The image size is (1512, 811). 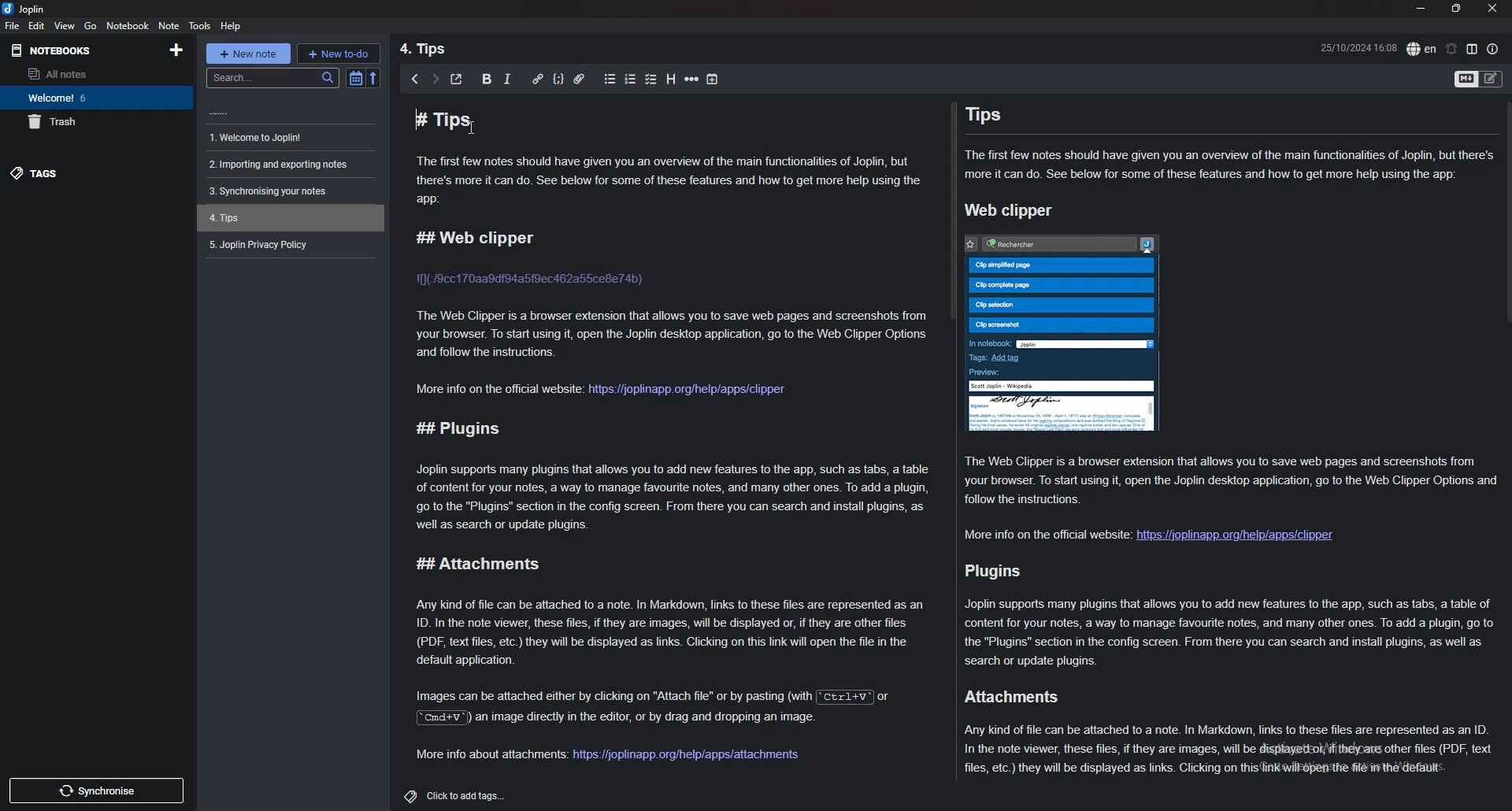 What do you see at coordinates (652, 79) in the screenshot?
I see `checked list` at bounding box center [652, 79].